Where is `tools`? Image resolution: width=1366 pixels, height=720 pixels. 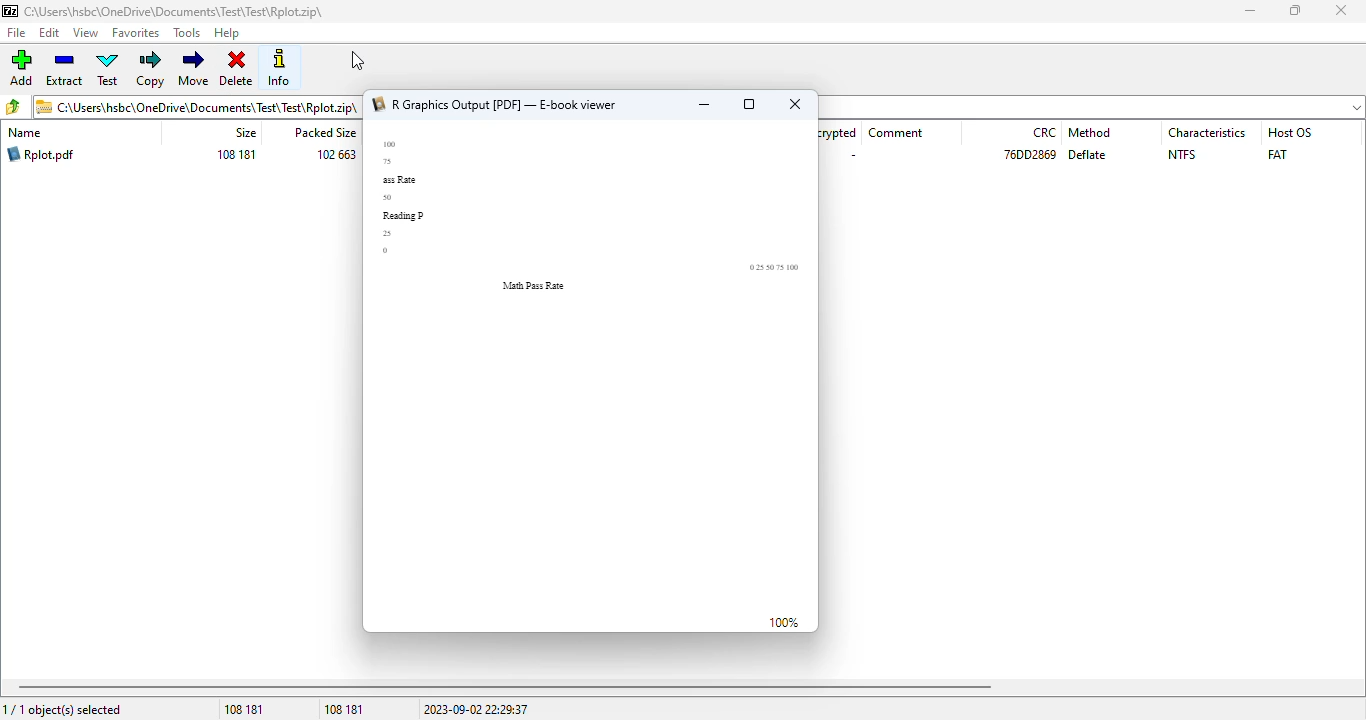
tools is located at coordinates (186, 33).